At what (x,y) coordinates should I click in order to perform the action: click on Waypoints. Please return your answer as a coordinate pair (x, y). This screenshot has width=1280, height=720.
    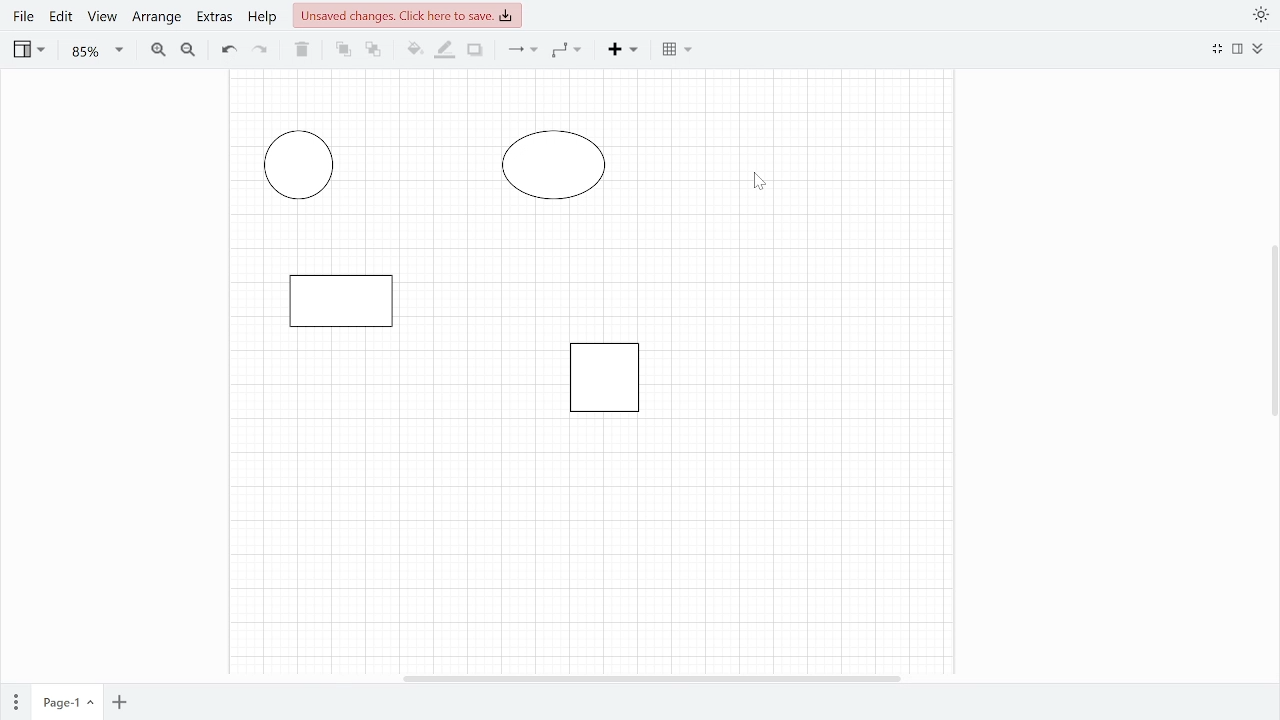
    Looking at the image, I should click on (566, 50).